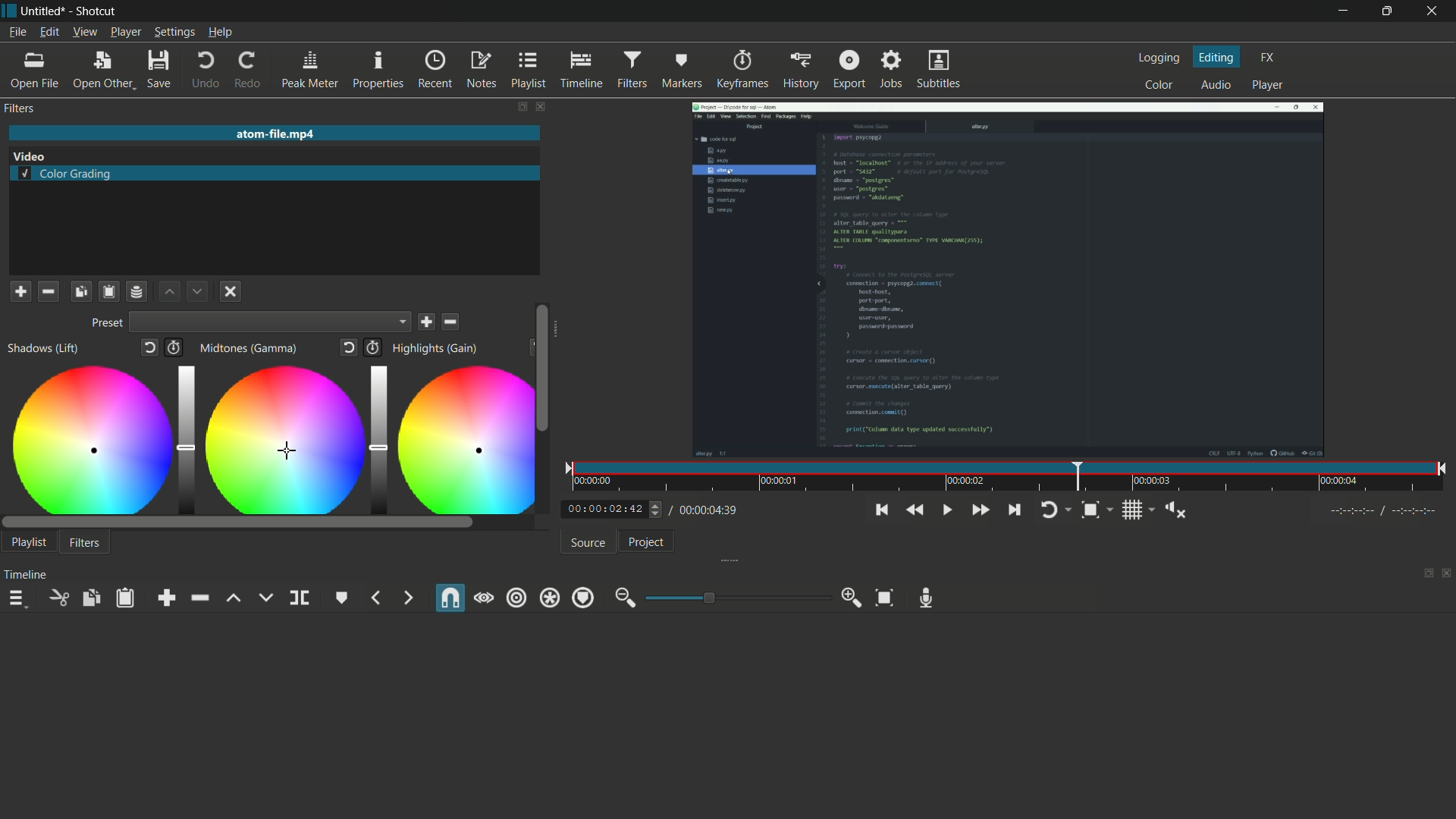 This screenshot has width=1456, height=819. What do you see at coordinates (57, 597) in the screenshot?
I see `cut` at bounding box center [57, 597].